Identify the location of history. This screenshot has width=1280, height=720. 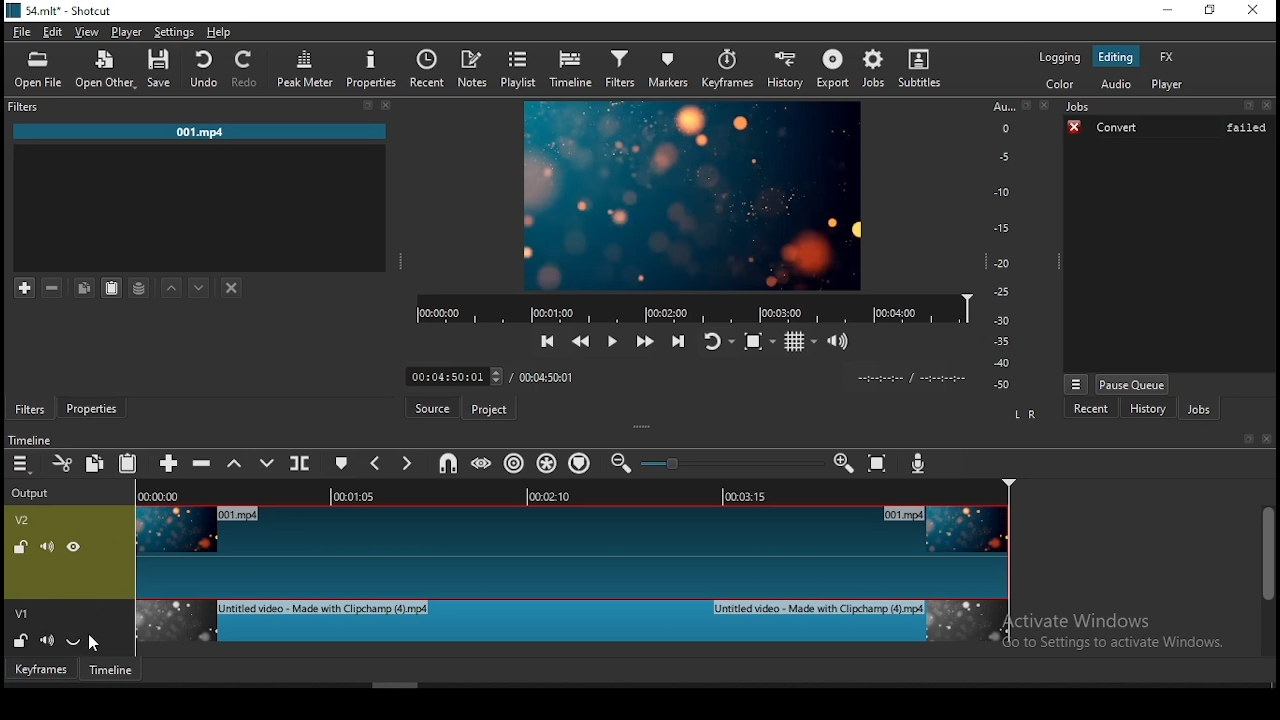
(1149, 409).